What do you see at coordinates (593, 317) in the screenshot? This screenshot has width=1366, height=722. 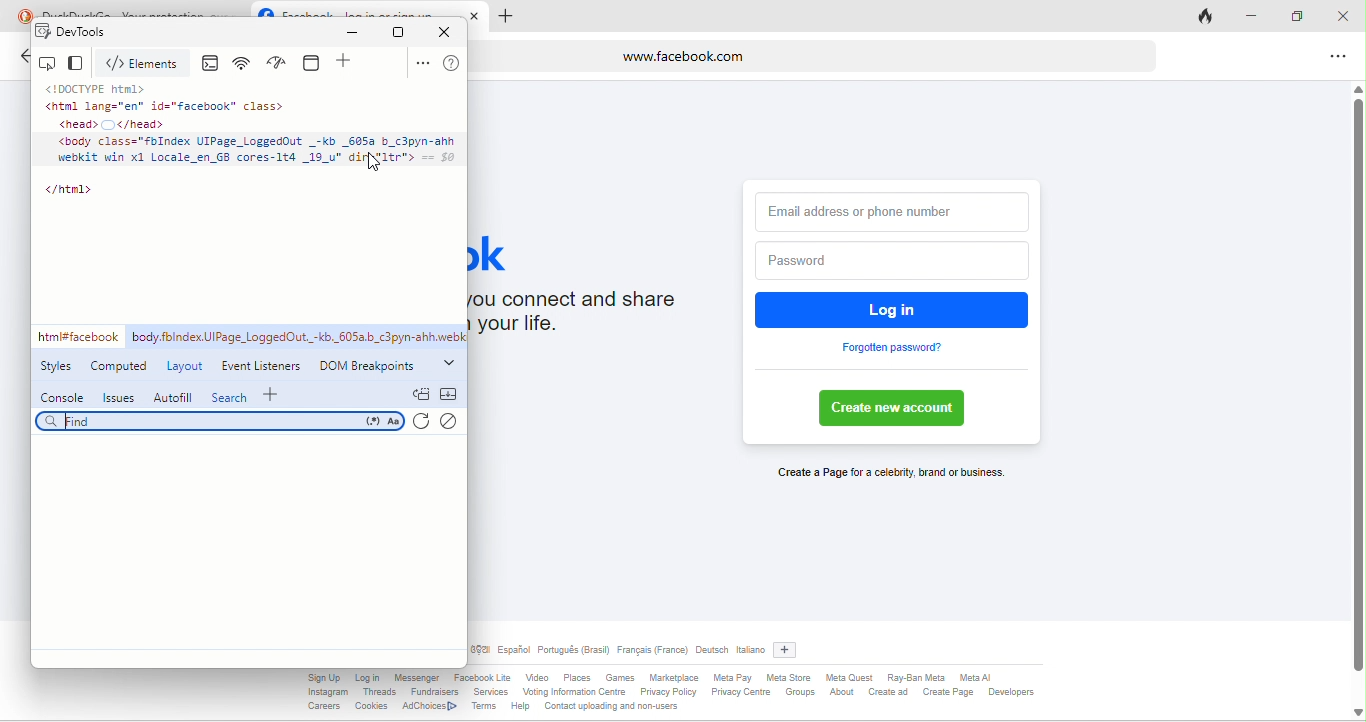 I see `Facebook helps you connect and share
with the people in your life.` at bounding box center [593, 317].